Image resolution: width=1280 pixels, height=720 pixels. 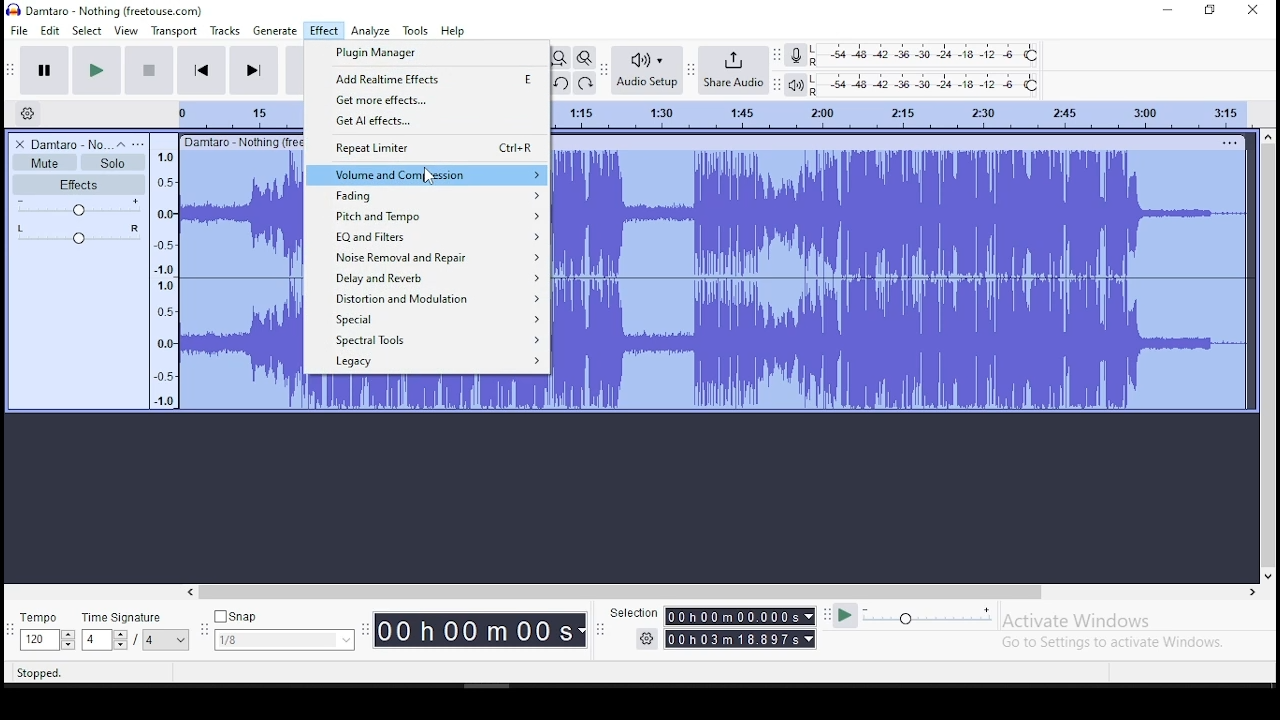 I want to click on delay and reverb, so click(x=430, y=278).